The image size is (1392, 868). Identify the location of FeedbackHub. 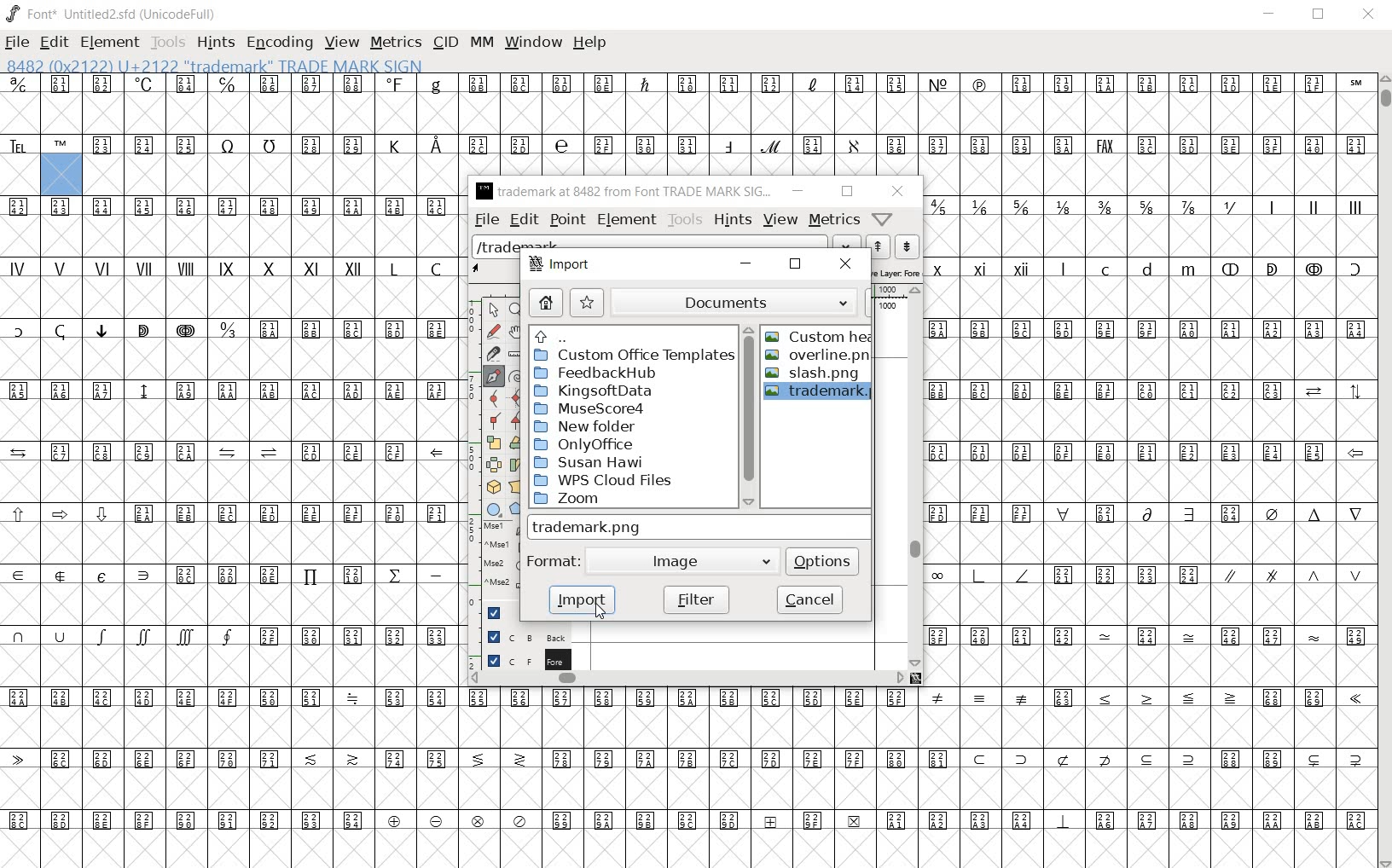
(594, 373).